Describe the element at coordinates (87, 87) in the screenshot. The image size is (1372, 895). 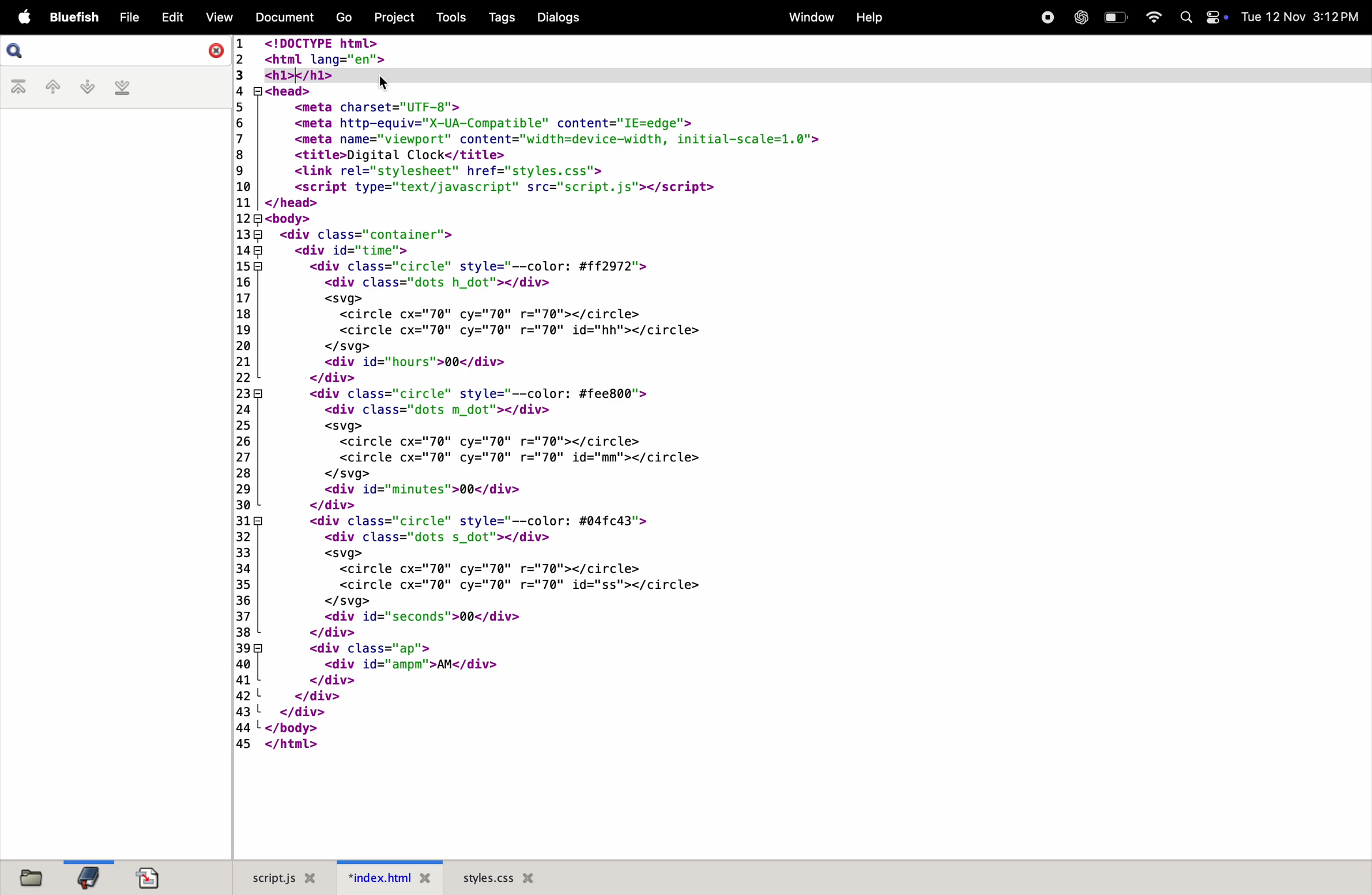
I see `next book mark` at that location.